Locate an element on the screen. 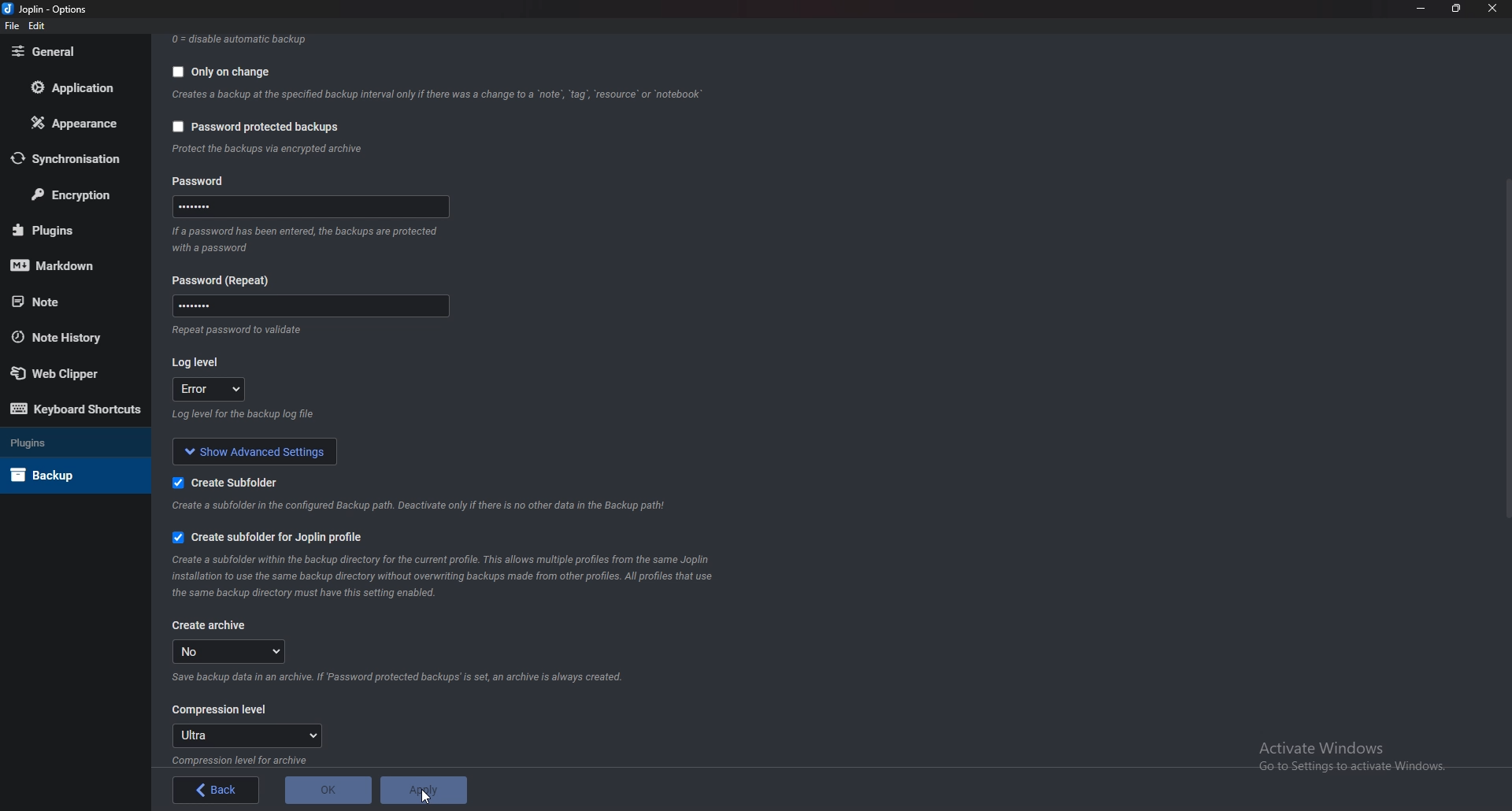 The image size is (1512, 811). Create sub folder is located at coordinates (235, 480).